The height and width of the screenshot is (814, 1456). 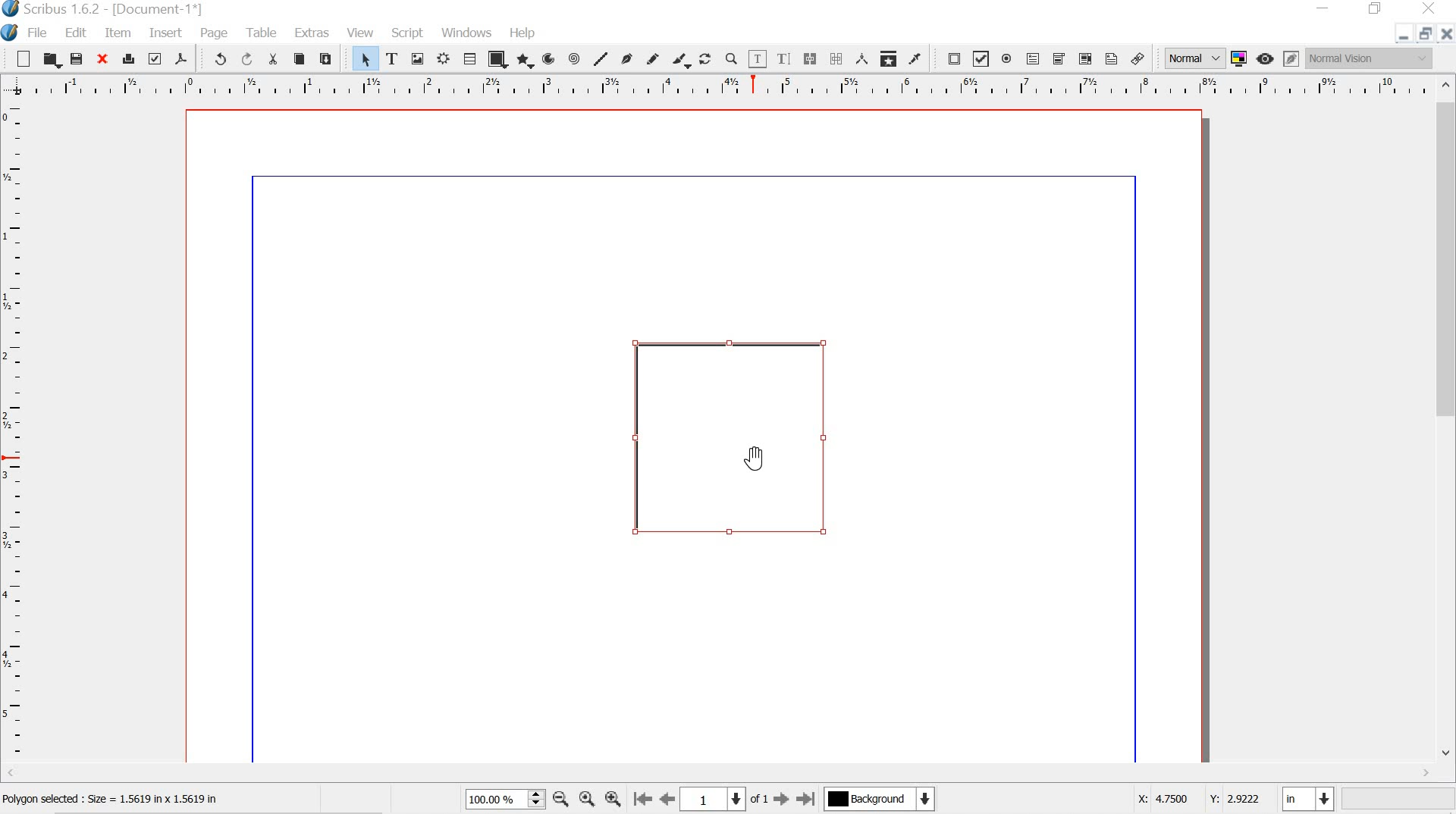 I want to click on new, so click(x=18, y=58).